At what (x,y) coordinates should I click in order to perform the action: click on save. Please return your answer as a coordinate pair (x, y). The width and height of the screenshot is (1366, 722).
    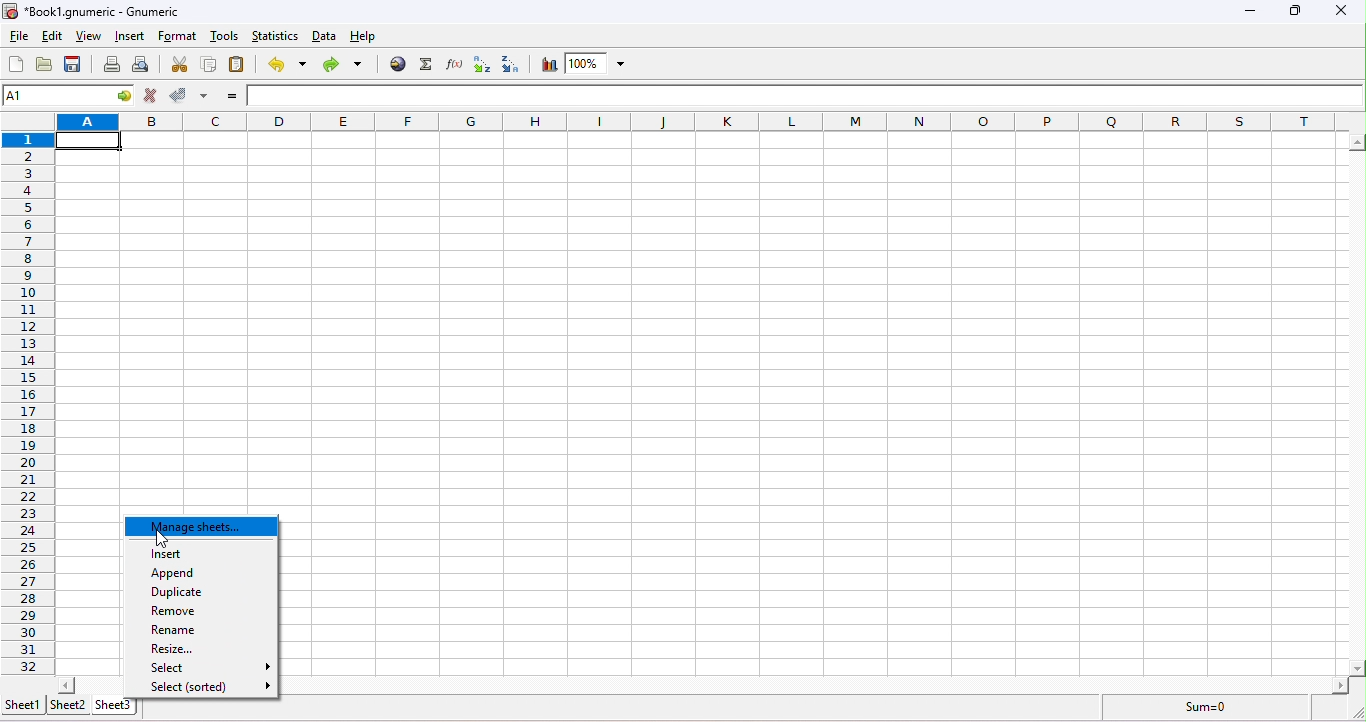
    Looking at the image, I should click on (76, 65).